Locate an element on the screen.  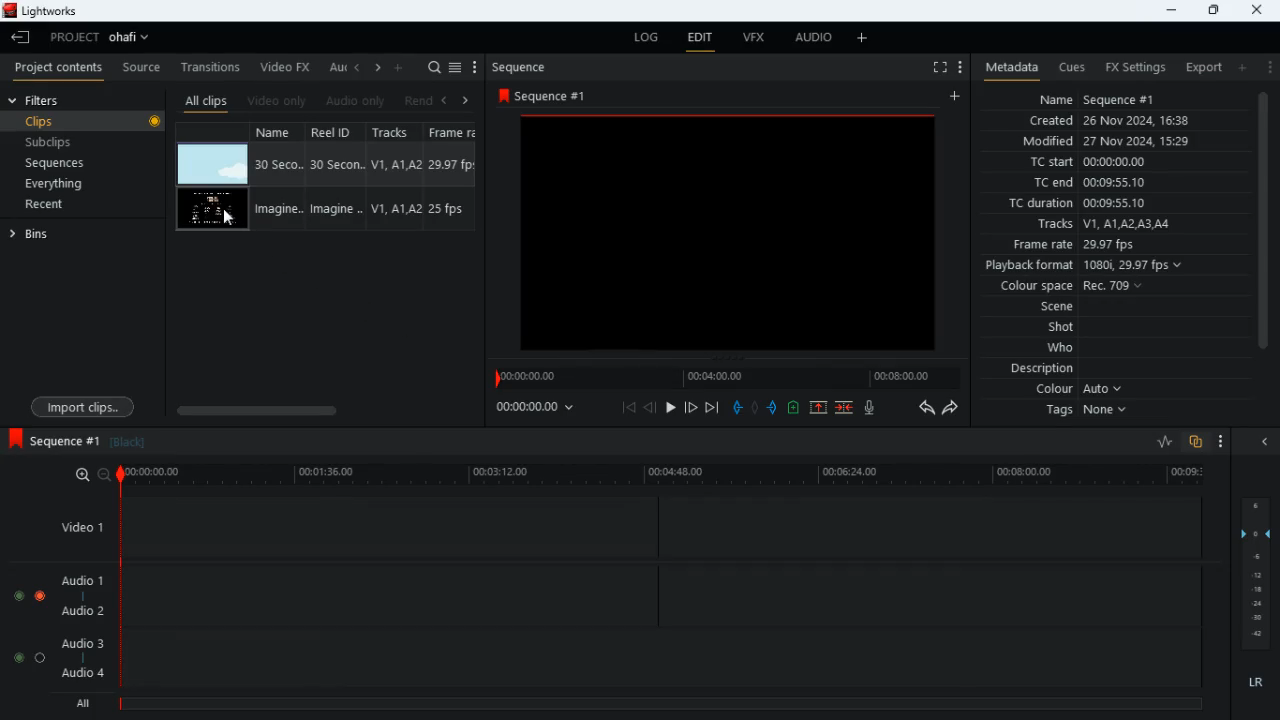
colour is located at coordinates (1080, 390).